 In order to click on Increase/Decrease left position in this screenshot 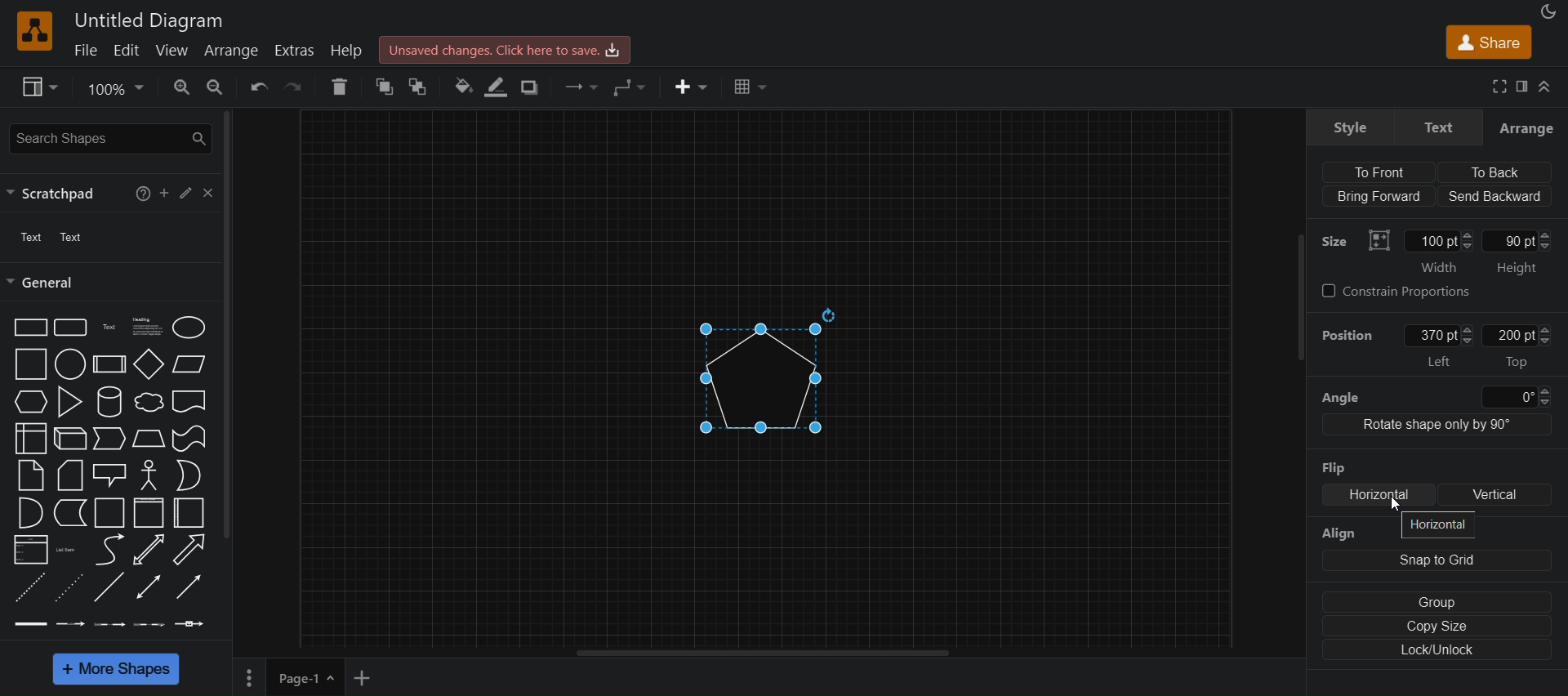, I will do `click(1467, 335)`.